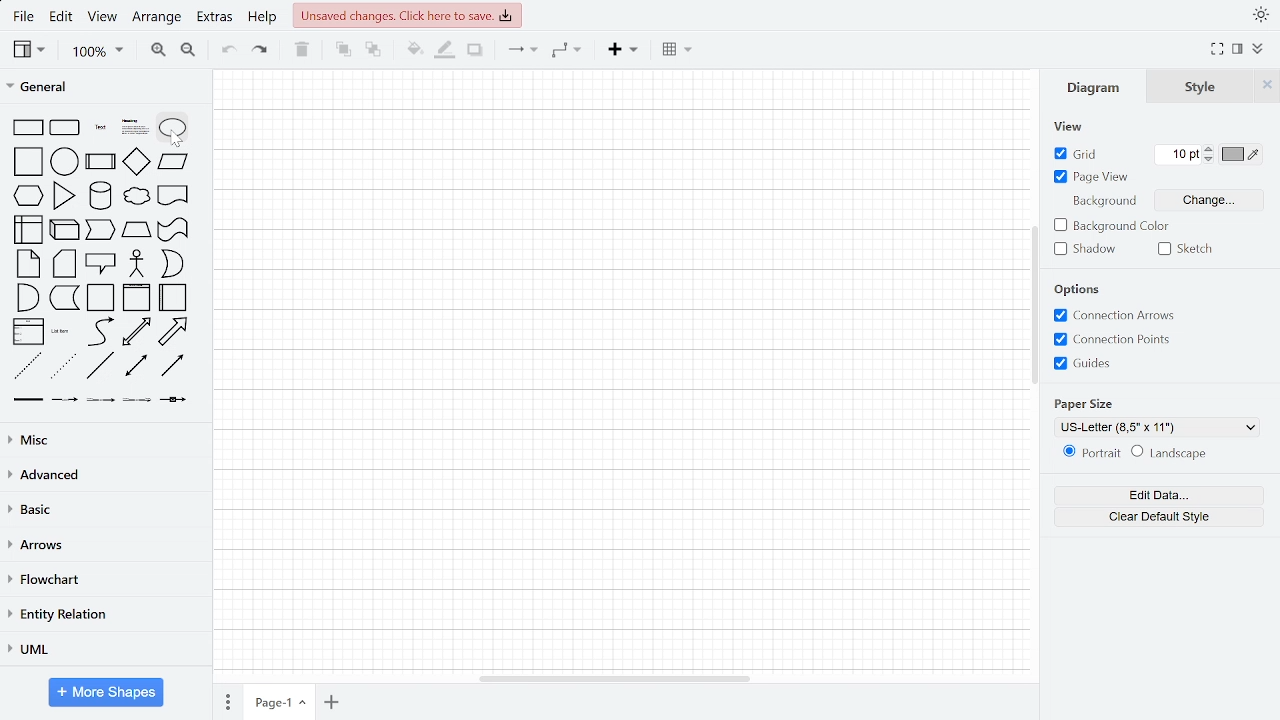 The image size is (1280, 720). What do you see at coordinates (301, 51) in the screenshot?
I see `delete` at bounding box center [301, 51].